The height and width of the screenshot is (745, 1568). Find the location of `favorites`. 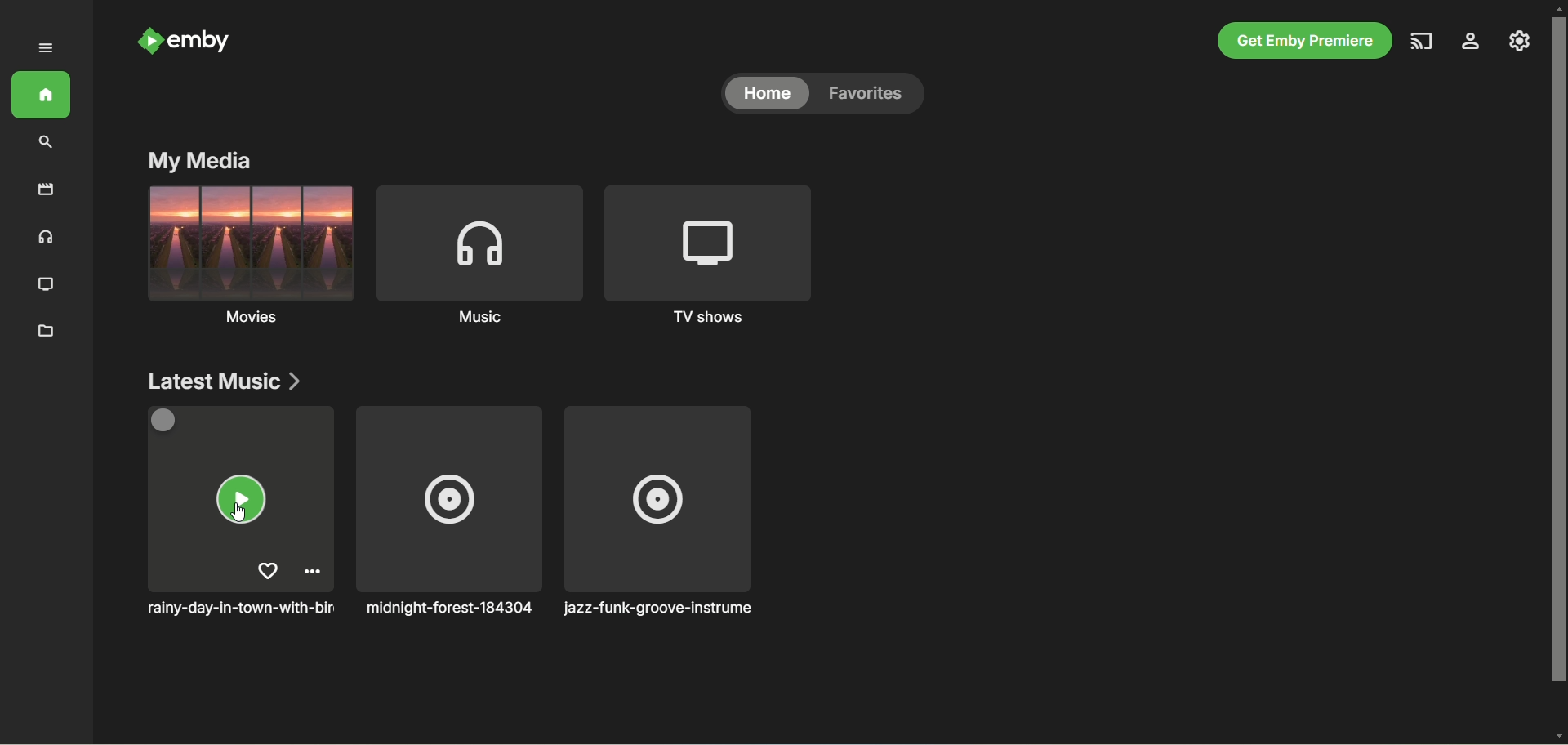

favorites is located at coordinates (869, 96).